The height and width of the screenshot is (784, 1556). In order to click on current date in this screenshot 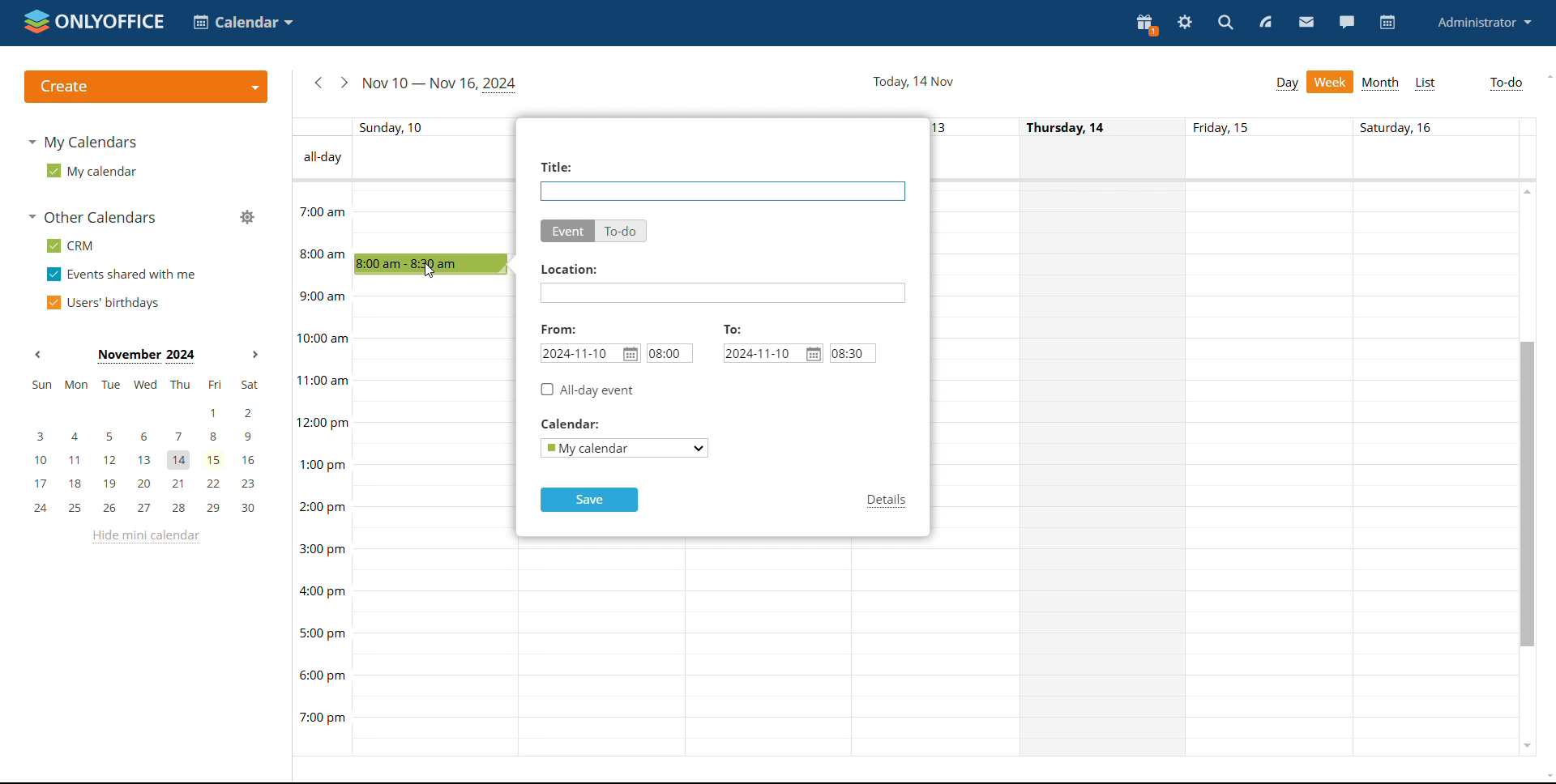, I will do `click(913, 83)`.